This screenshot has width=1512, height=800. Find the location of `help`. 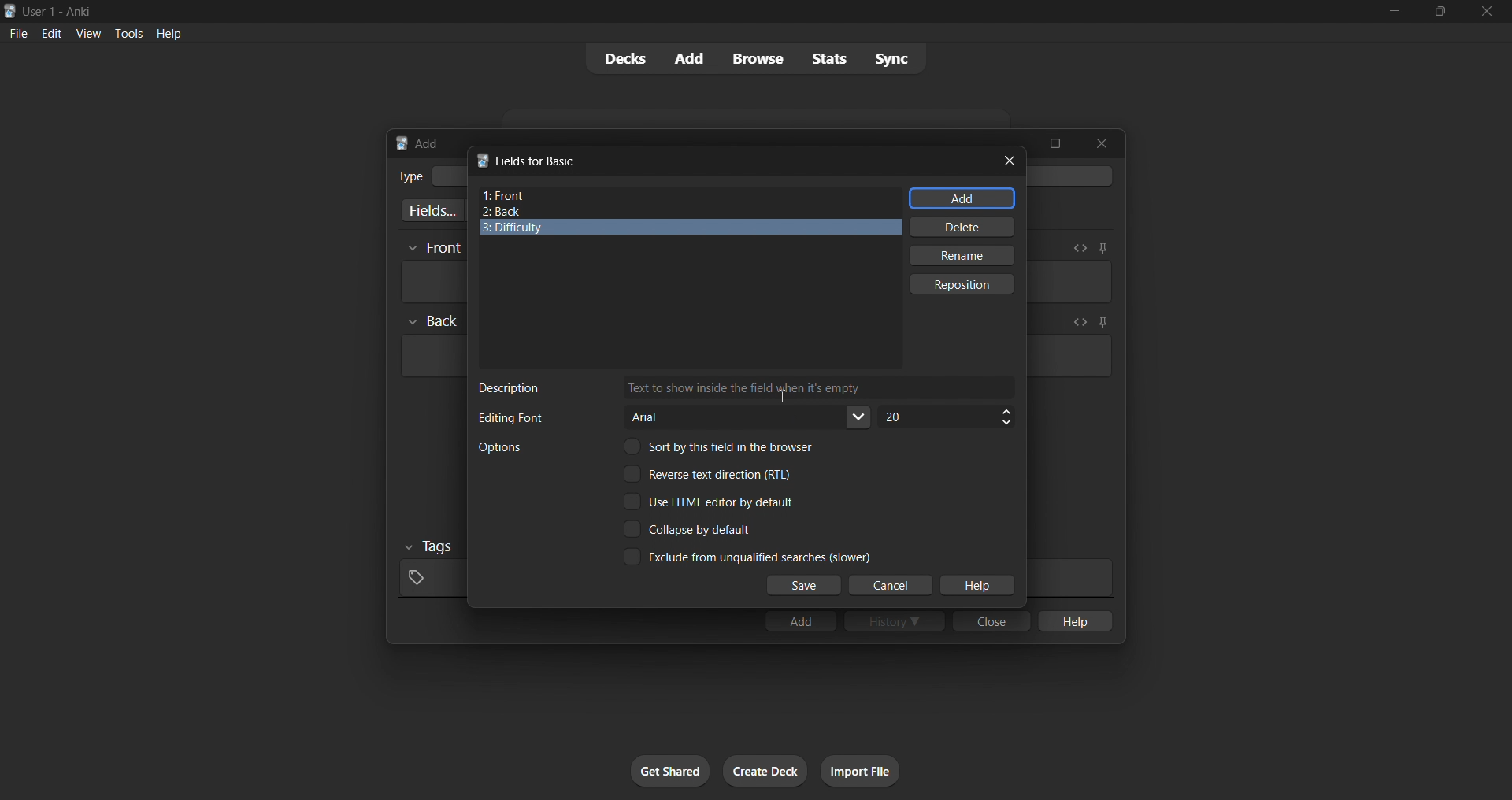

help is located at coordinates (1073, 620).